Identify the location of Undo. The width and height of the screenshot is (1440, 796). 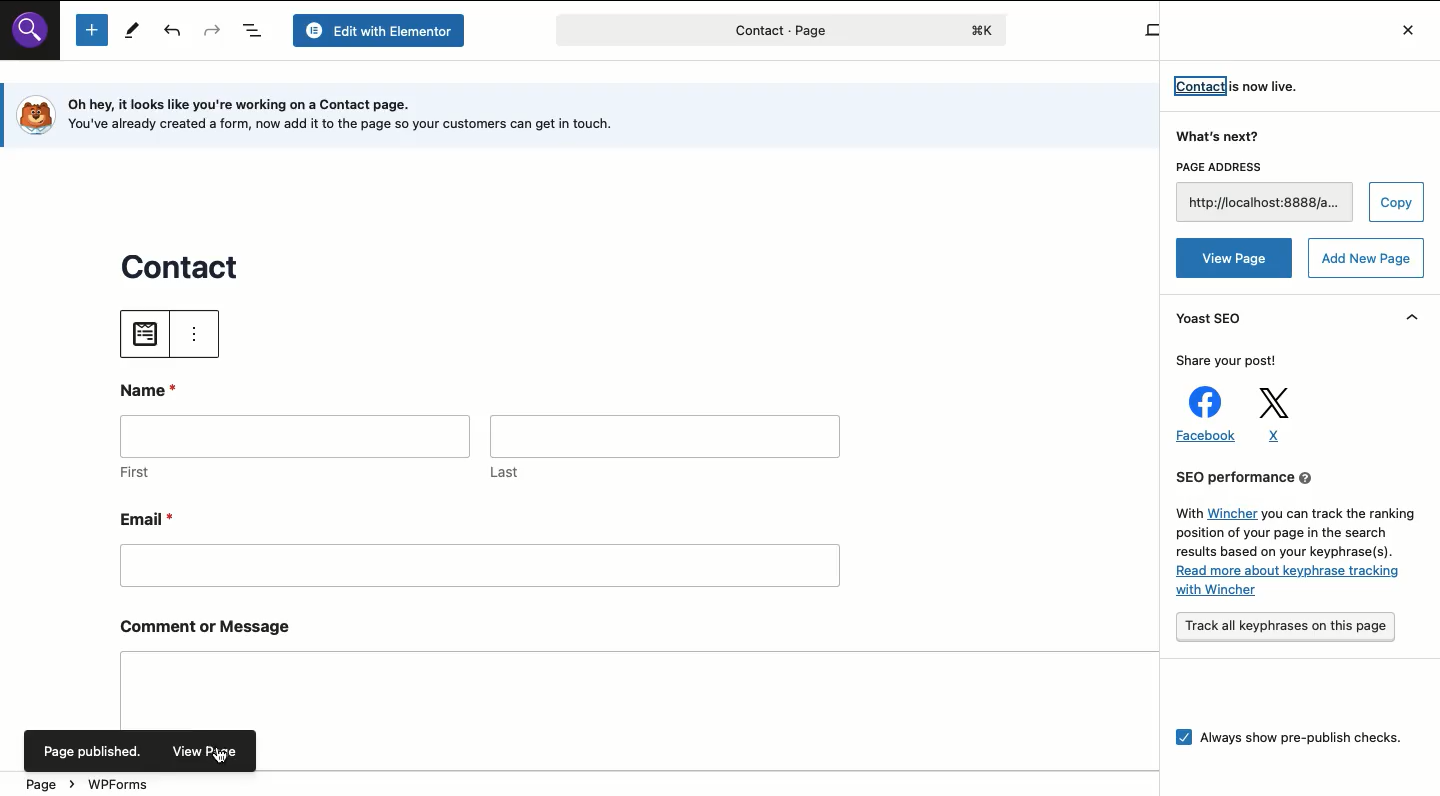
(174, 33).